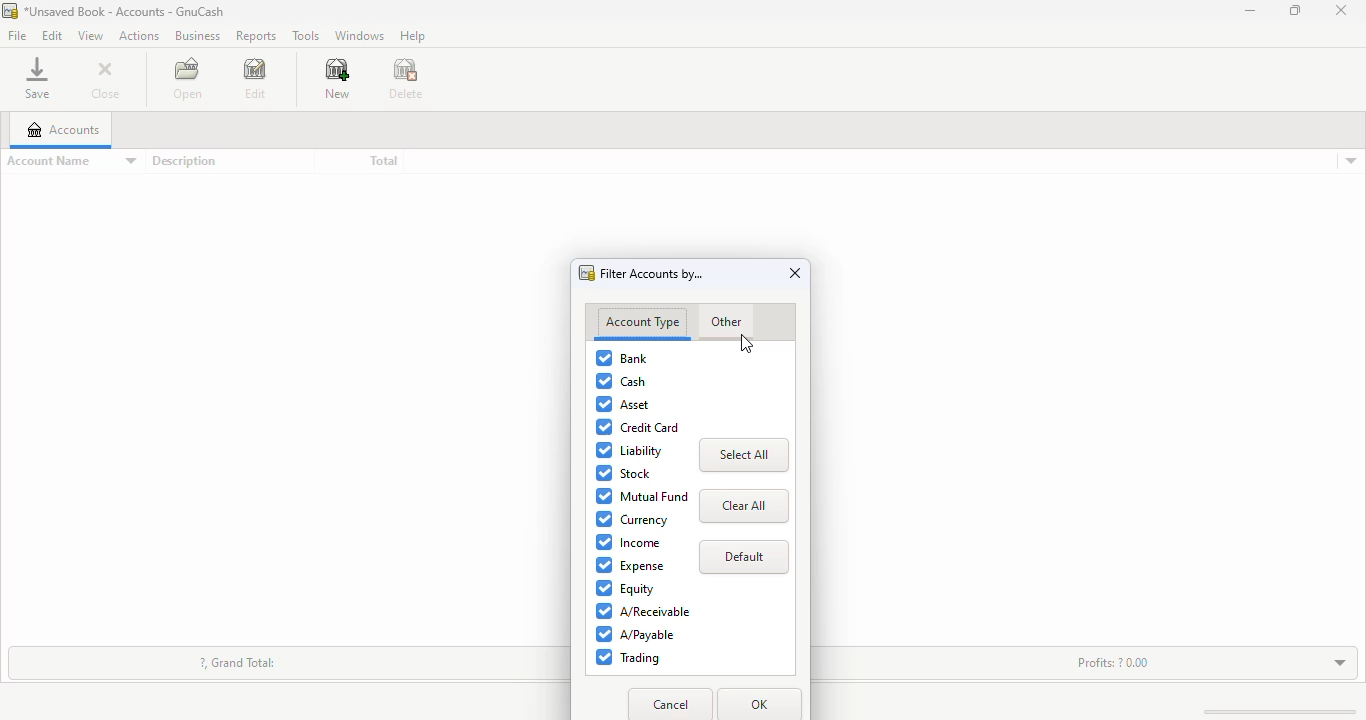 Image resolution: width=1366 pixels, height=720 pixels. I want to click on mutual fund, so click(643, 496).